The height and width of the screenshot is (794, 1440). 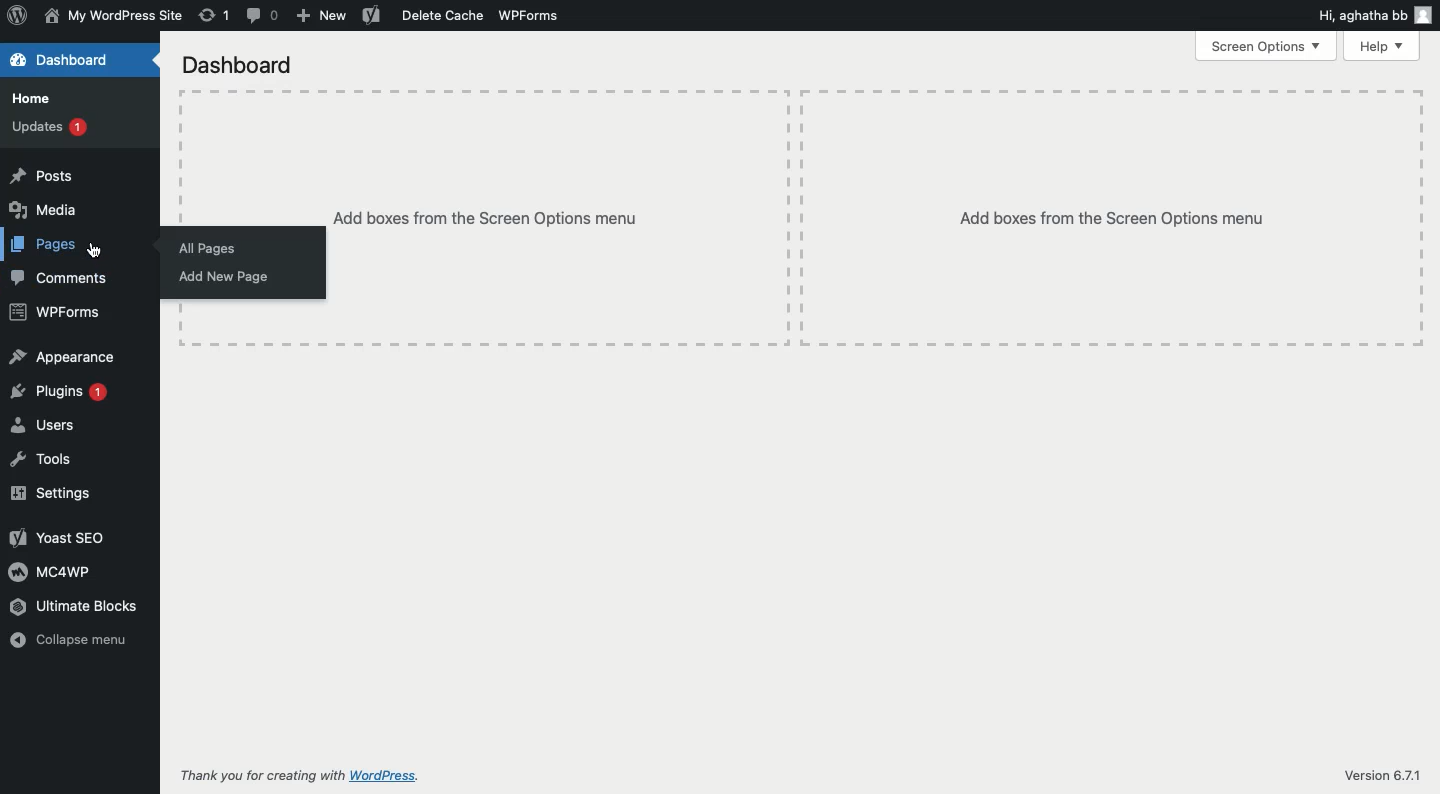 I want to click on New, so click(x=321, y=16).